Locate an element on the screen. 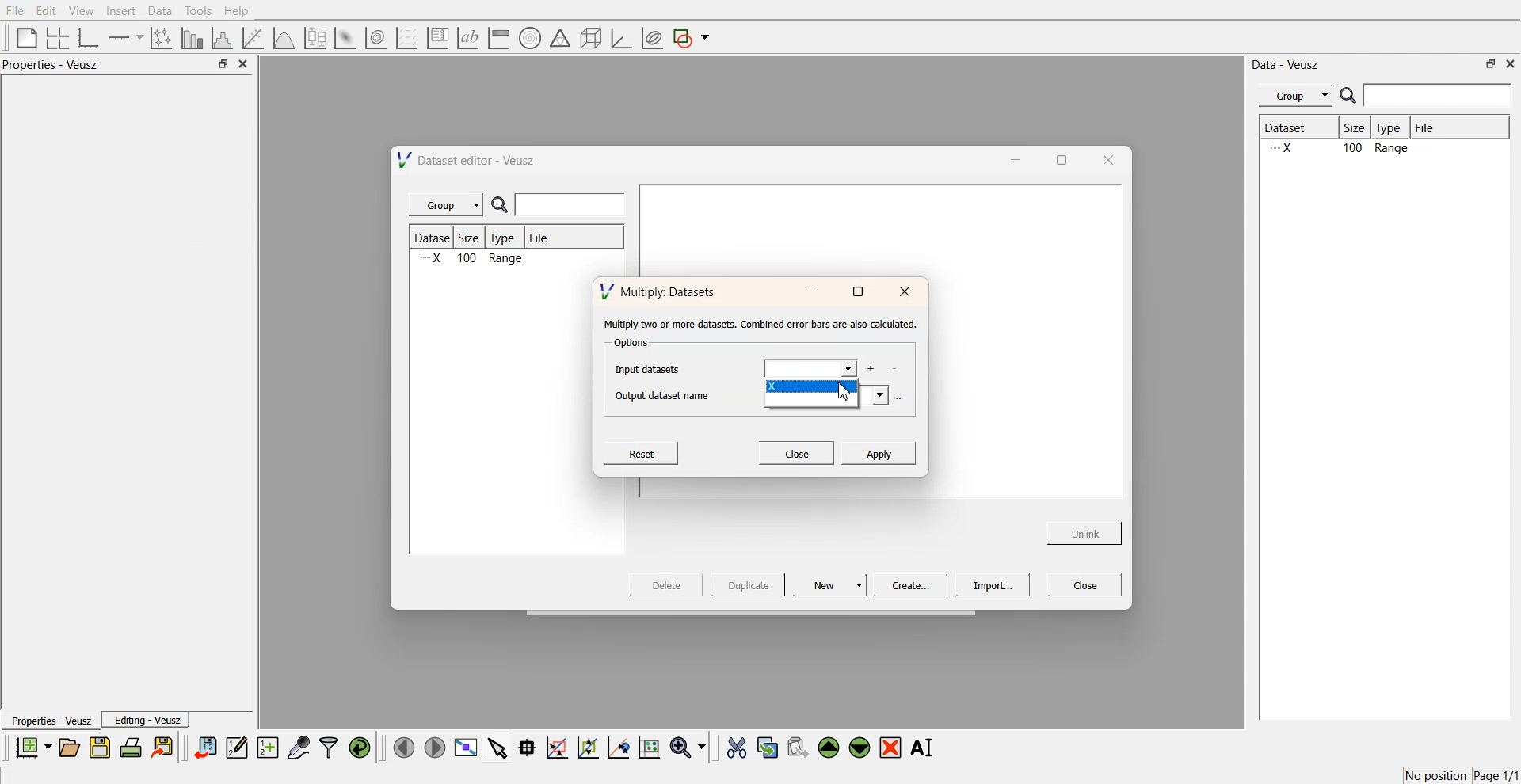  Multiply: Datasets is located at coordinates (660, 290).